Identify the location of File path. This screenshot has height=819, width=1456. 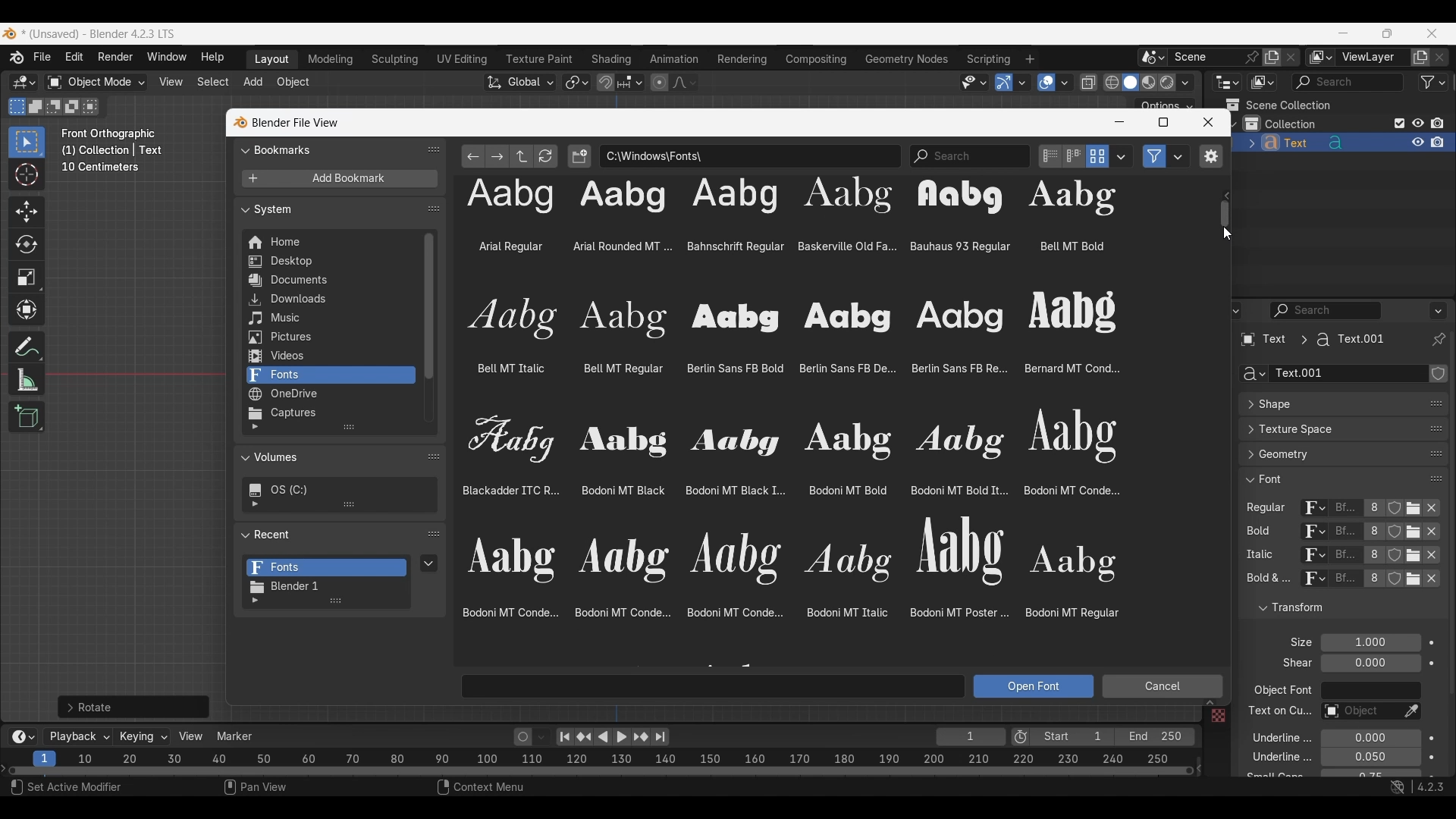
(750, 155).